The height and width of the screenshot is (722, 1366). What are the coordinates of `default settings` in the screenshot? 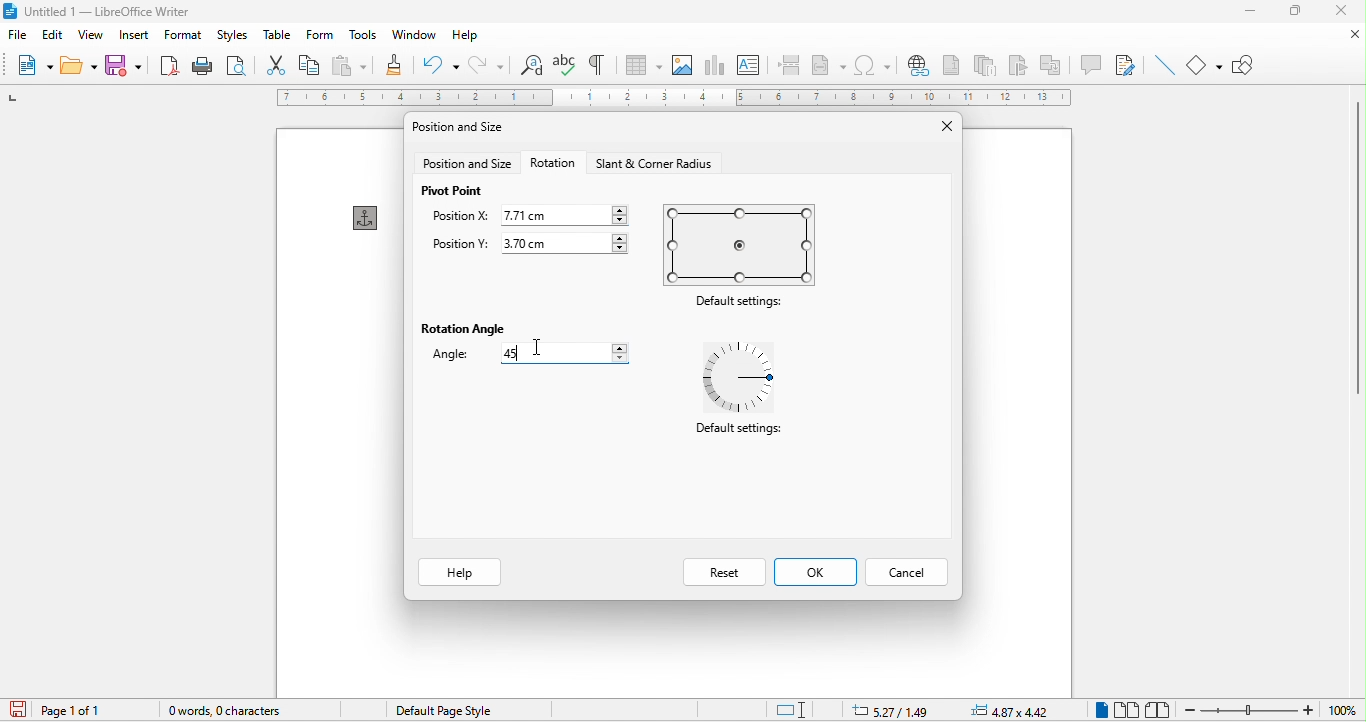 It's located at (742, 245).